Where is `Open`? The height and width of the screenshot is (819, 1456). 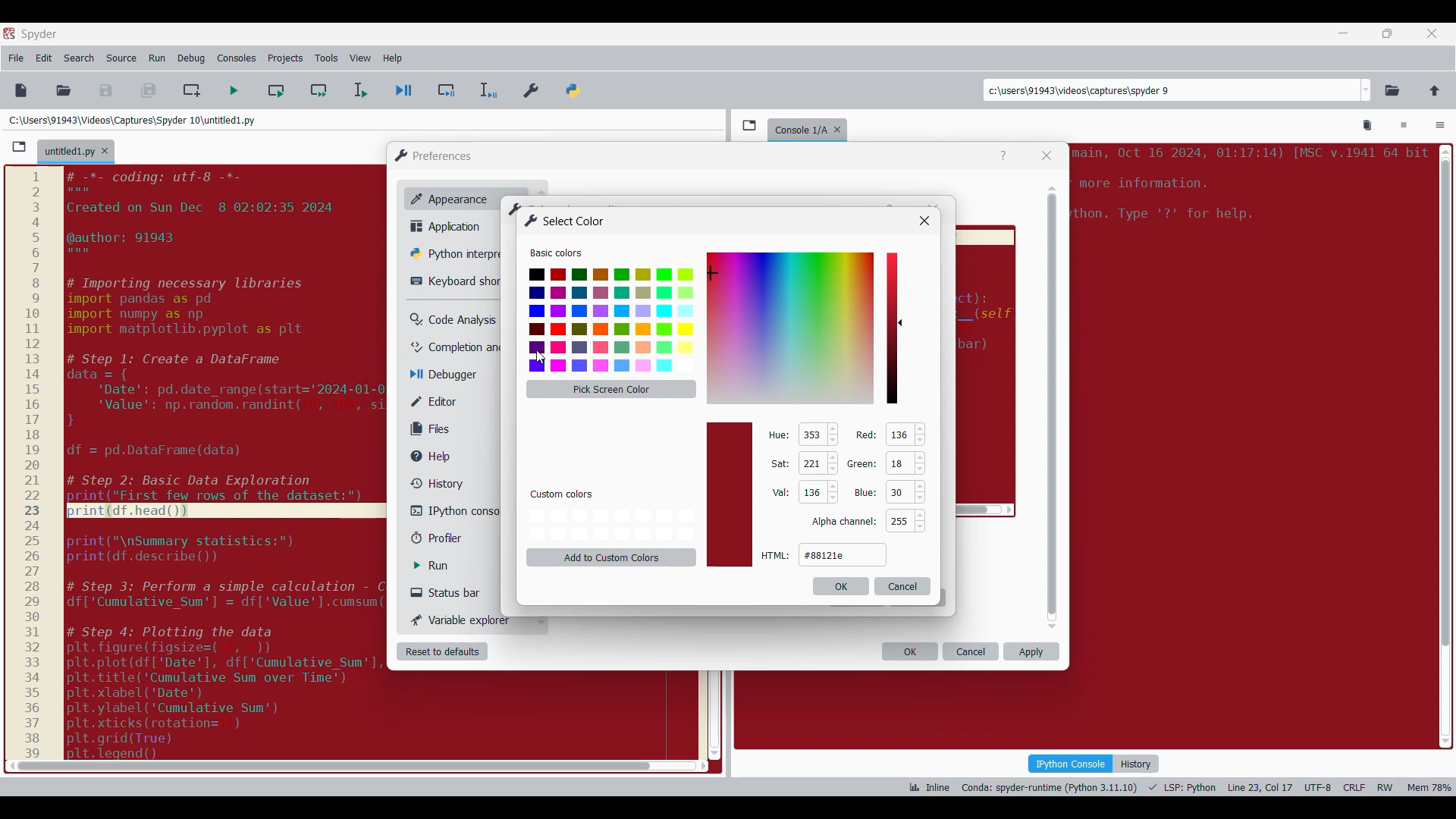
Open is located at coordinates (64, 90).